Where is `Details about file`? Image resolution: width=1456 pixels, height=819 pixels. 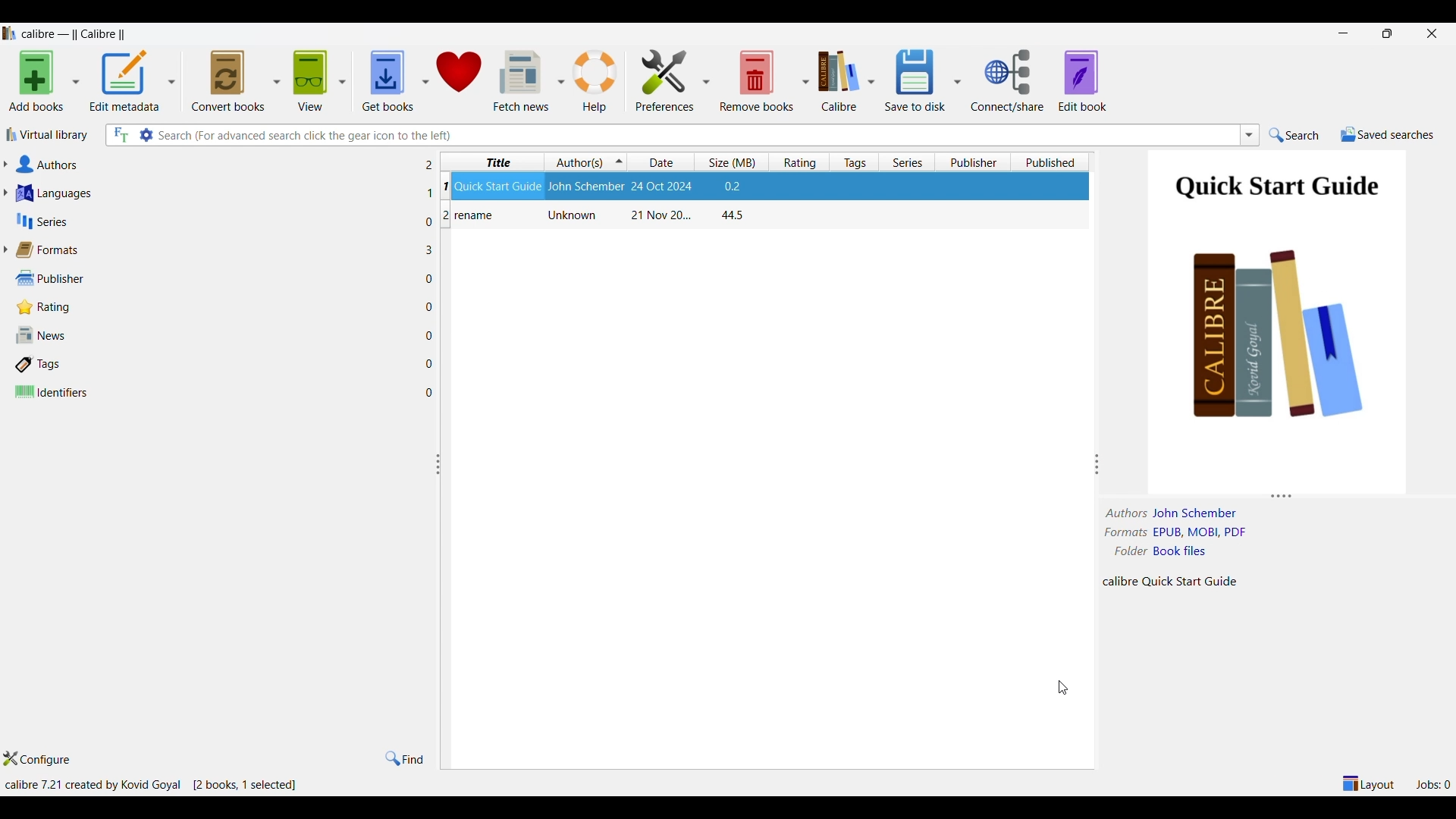
Details about file is located at coordinates (1172, 582).